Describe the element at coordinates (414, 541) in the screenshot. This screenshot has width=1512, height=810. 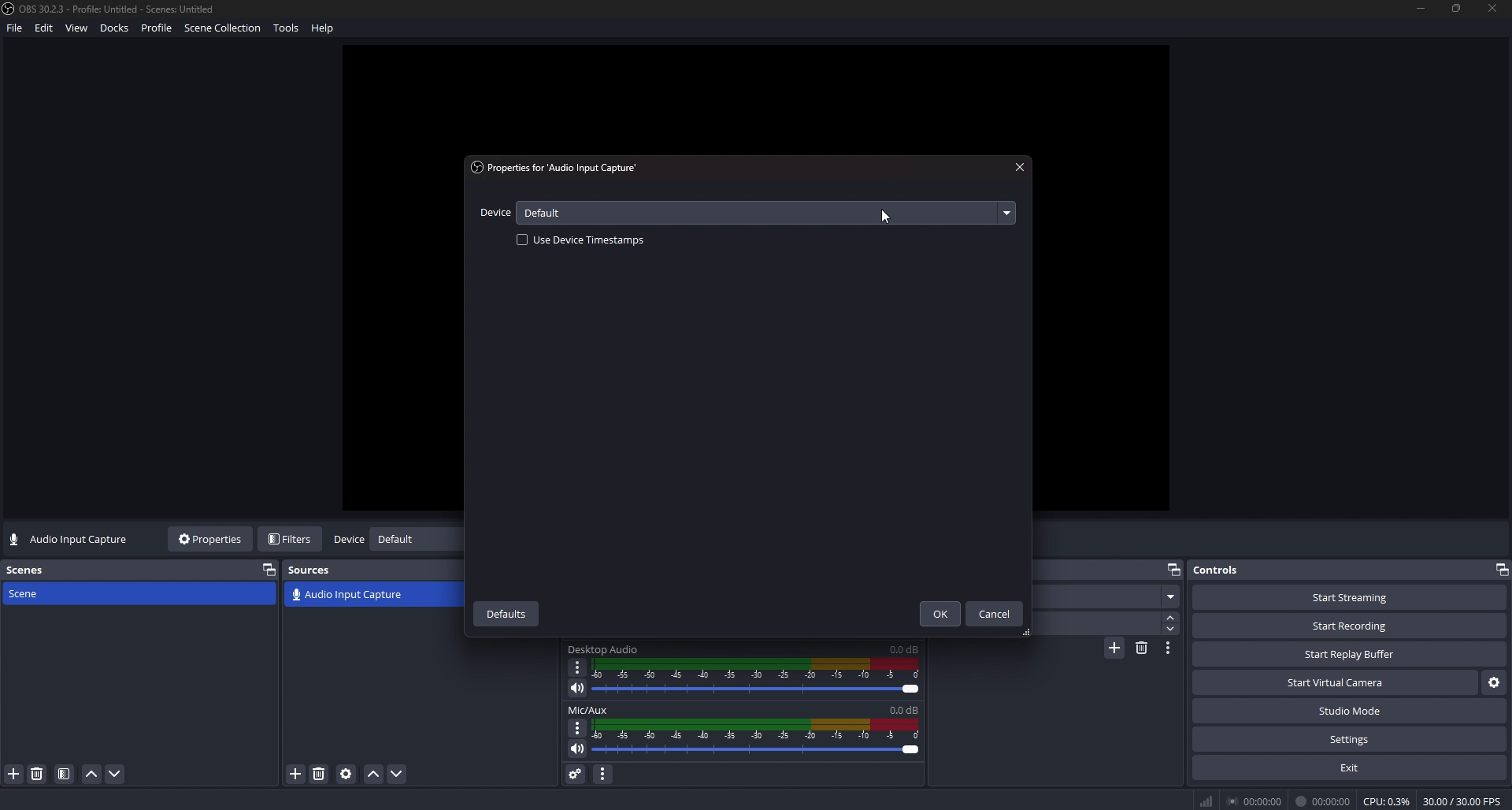
I see `pop out` at that location.